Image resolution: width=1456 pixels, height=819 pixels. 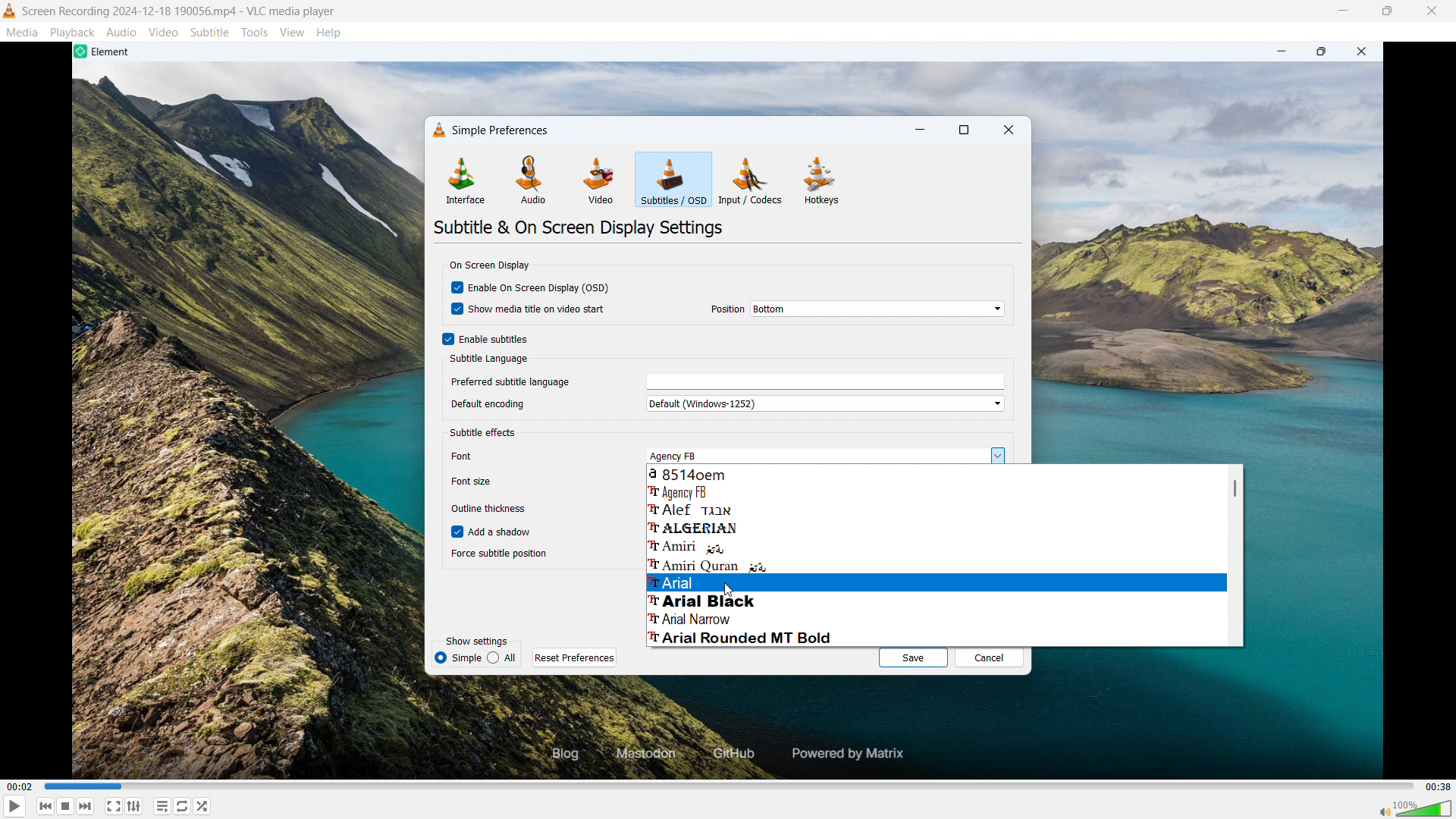 What do you see at coordinates (736, 78) in the screenshot?
I see `video playback` at bounding box center [736, 78].